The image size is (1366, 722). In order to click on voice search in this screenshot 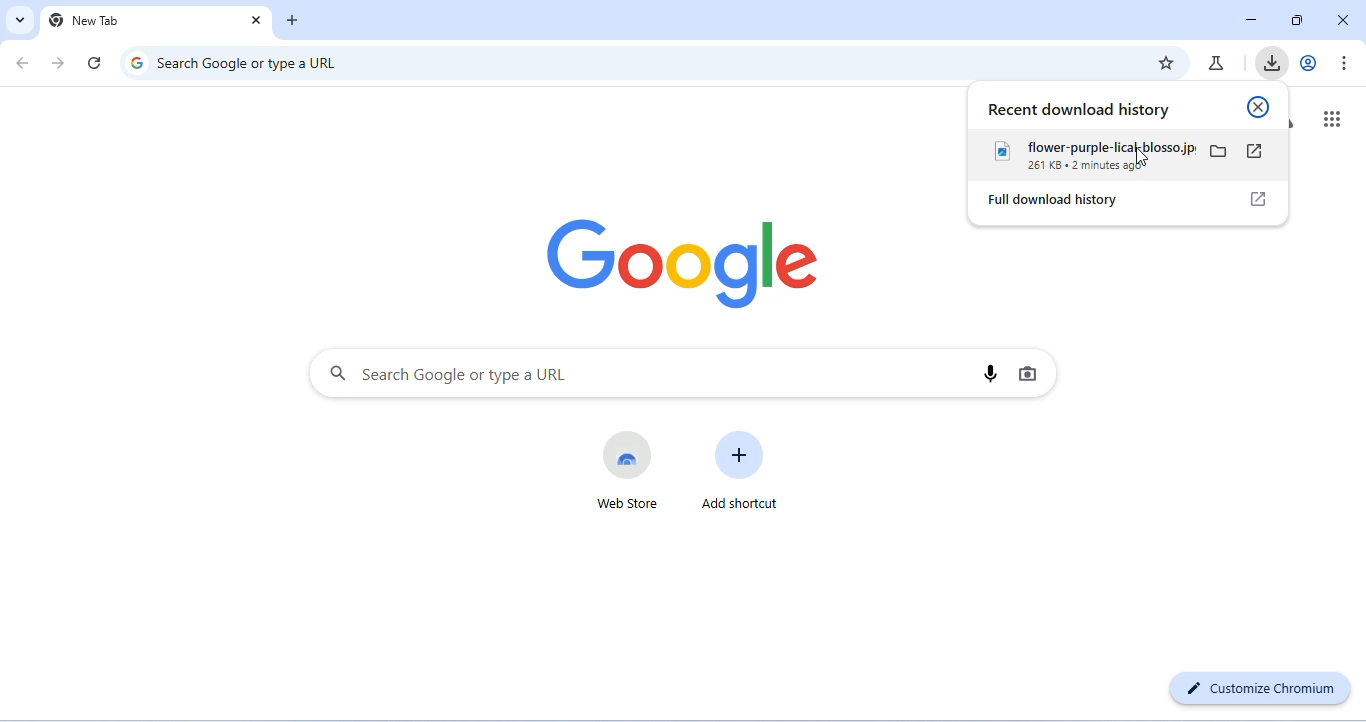, I will do `click(988, 374)`.